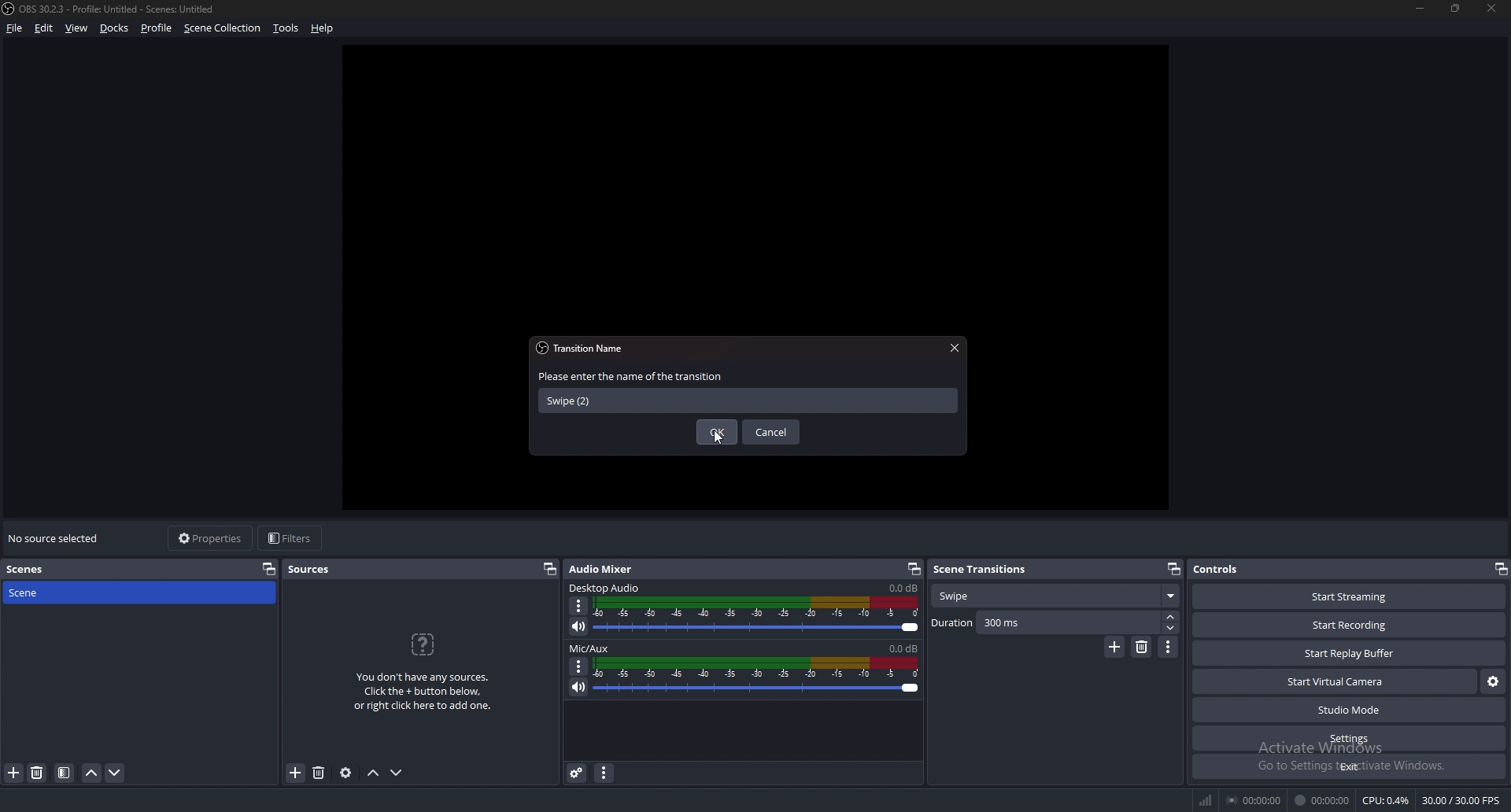 The image size is (1511, 812). Describe the element at coordinates (759, 677) in the screenshot. I see `volume adjust` at that location.